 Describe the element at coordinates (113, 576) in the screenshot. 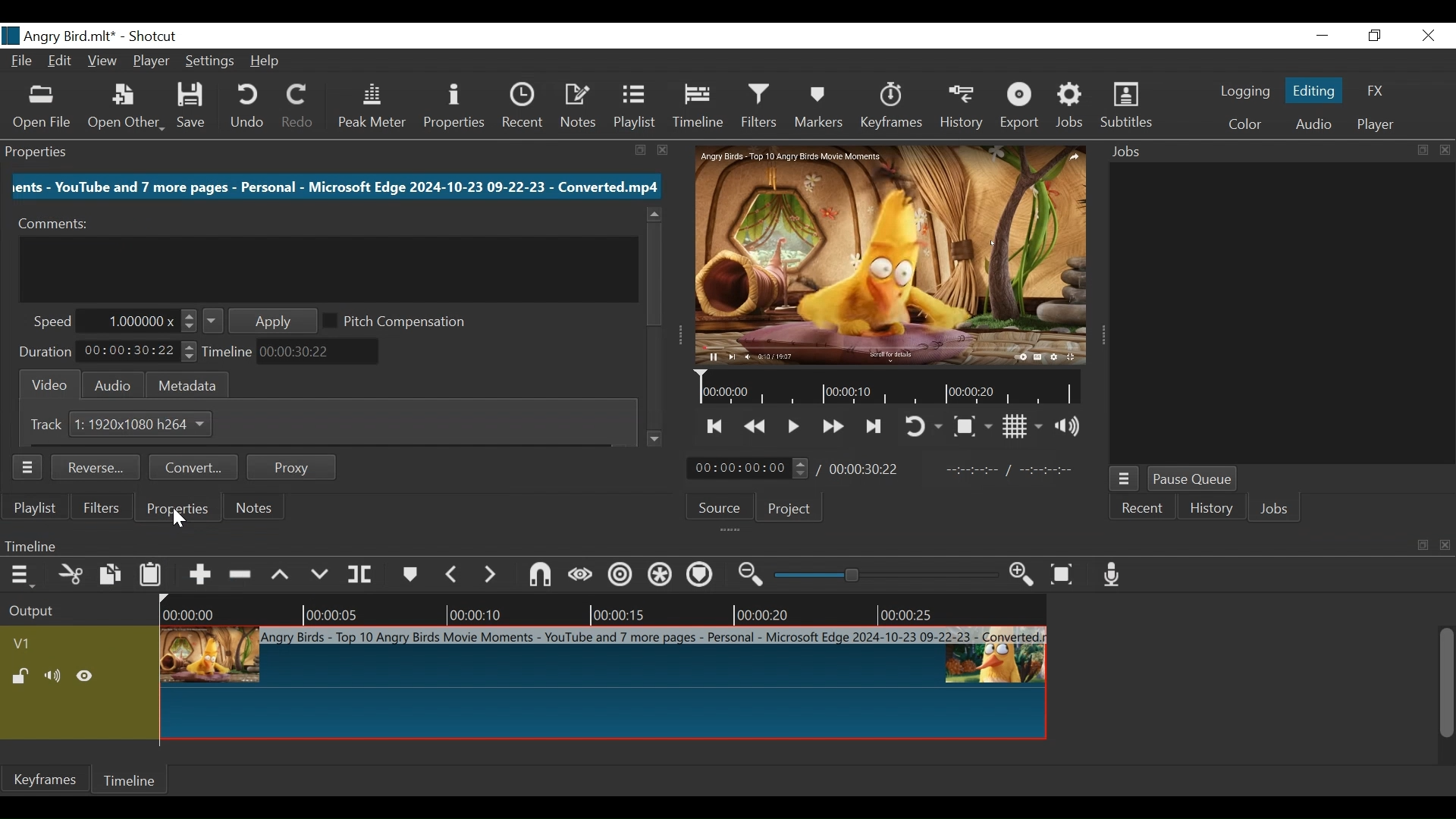

I see `Copy` at that location.